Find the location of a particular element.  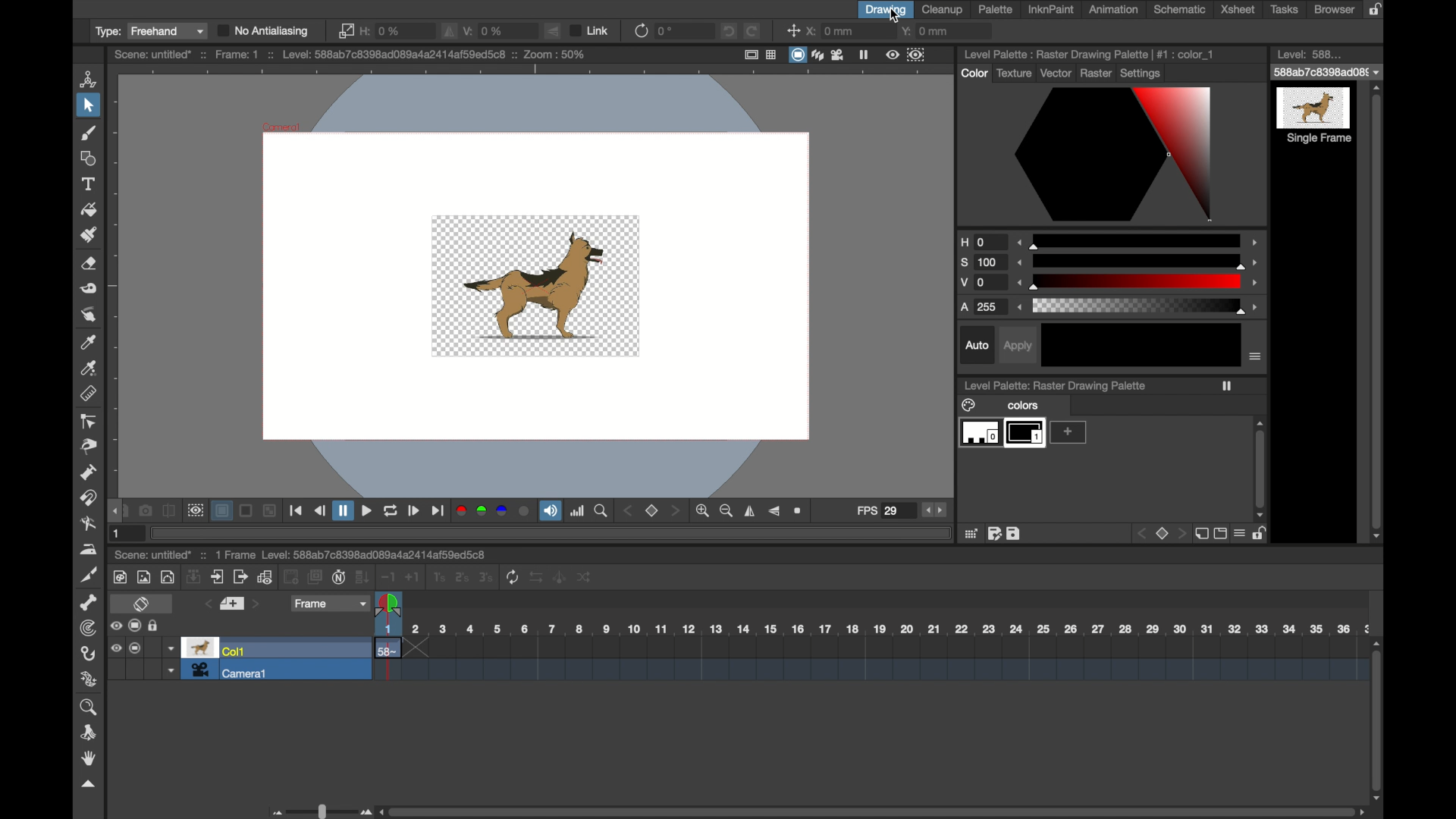

description is located at coordinates (356, 55).